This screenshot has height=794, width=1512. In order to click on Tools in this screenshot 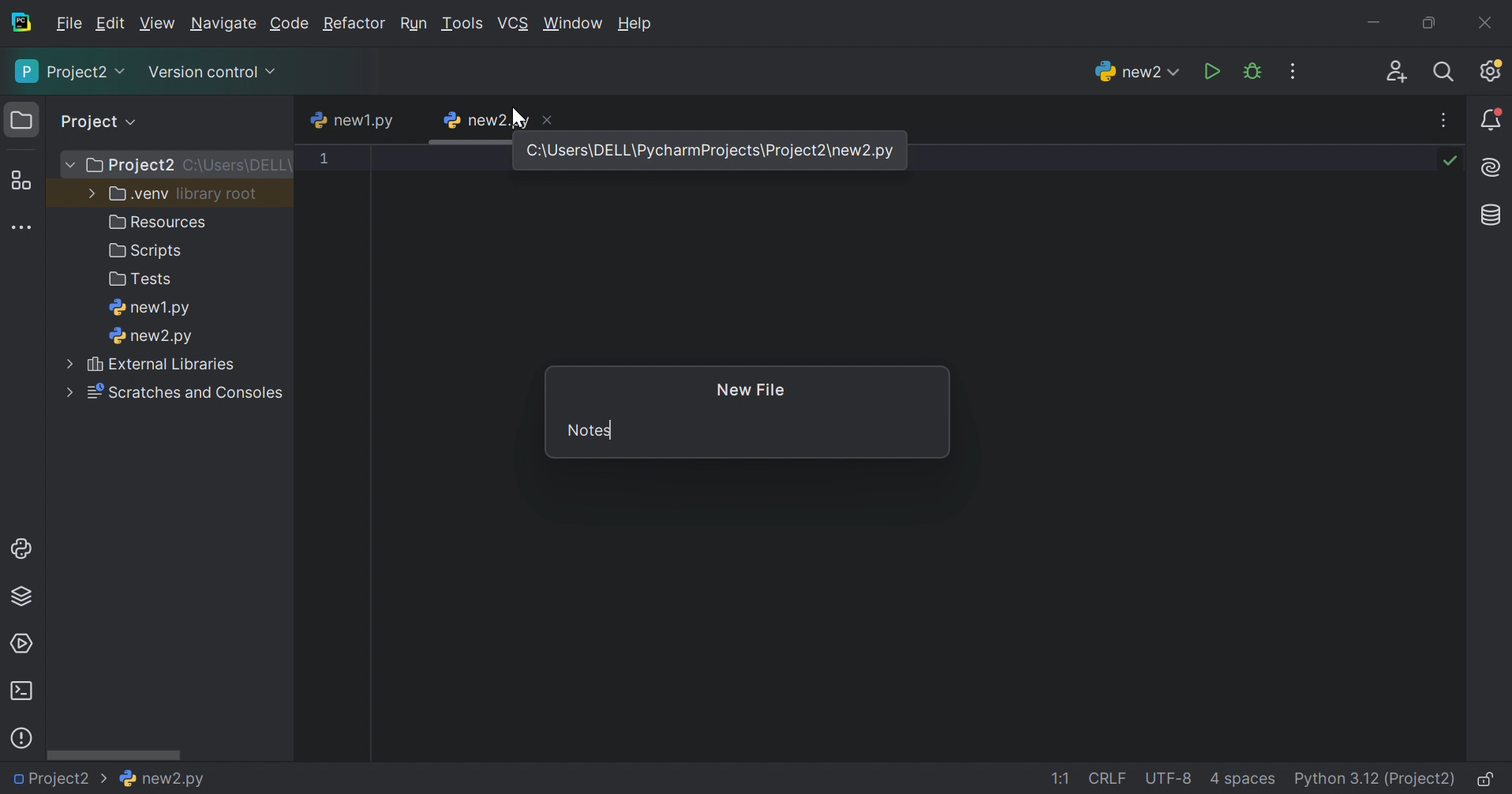, I will do `click(462, 24)`.